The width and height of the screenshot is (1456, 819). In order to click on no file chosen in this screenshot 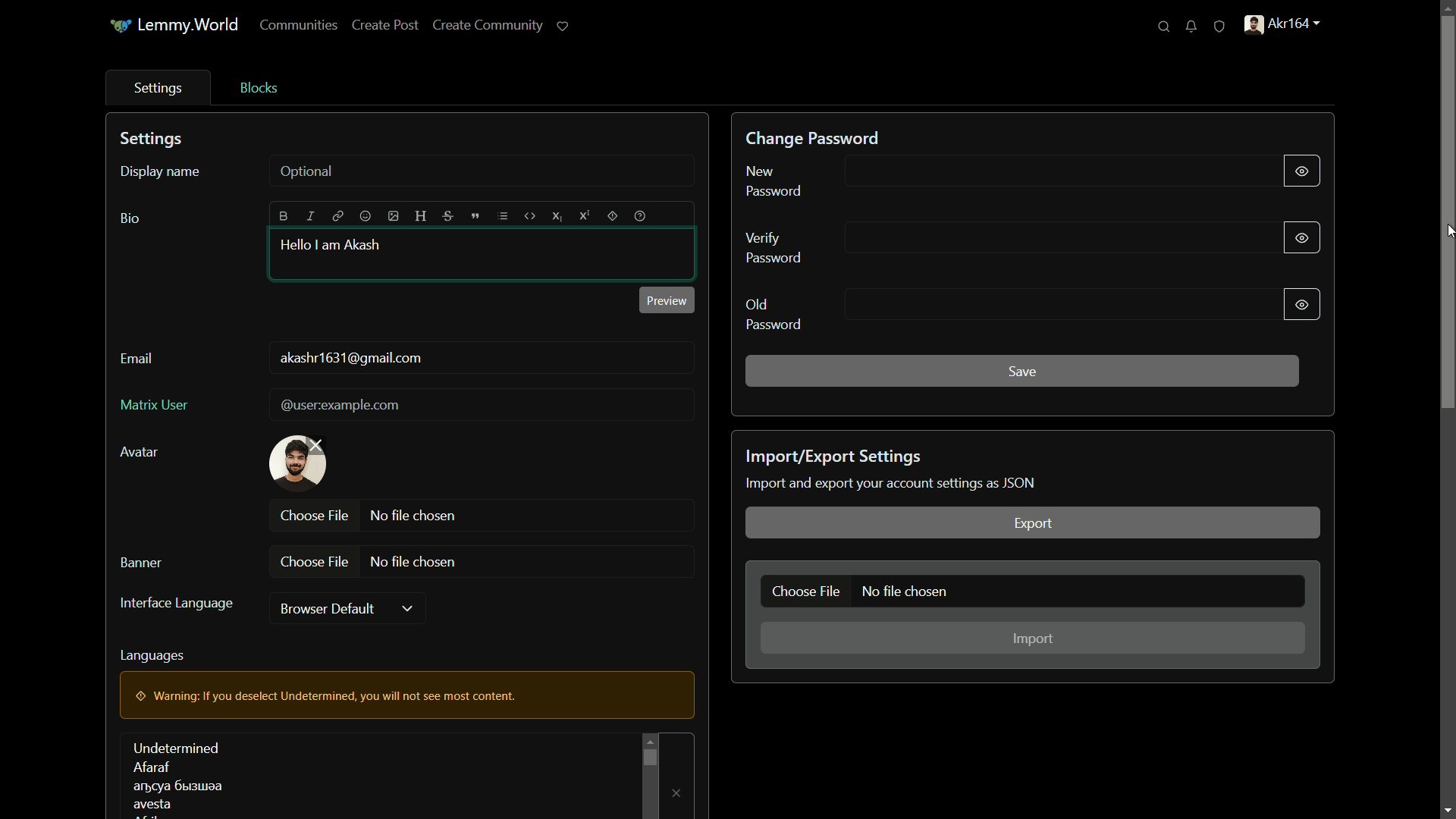, I will do `click(413, 563)`.